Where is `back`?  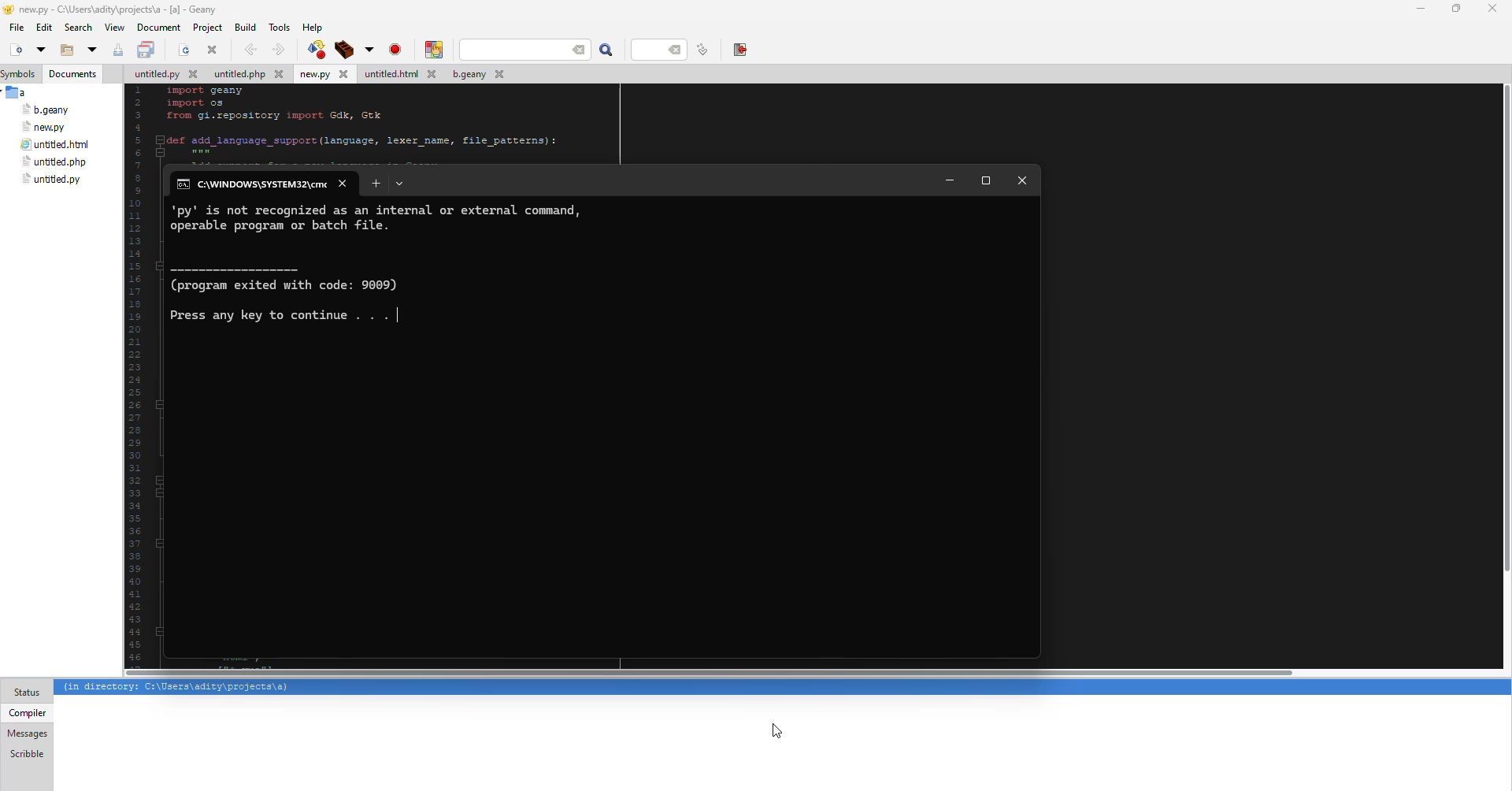 back is located at coordinates (250, 50).